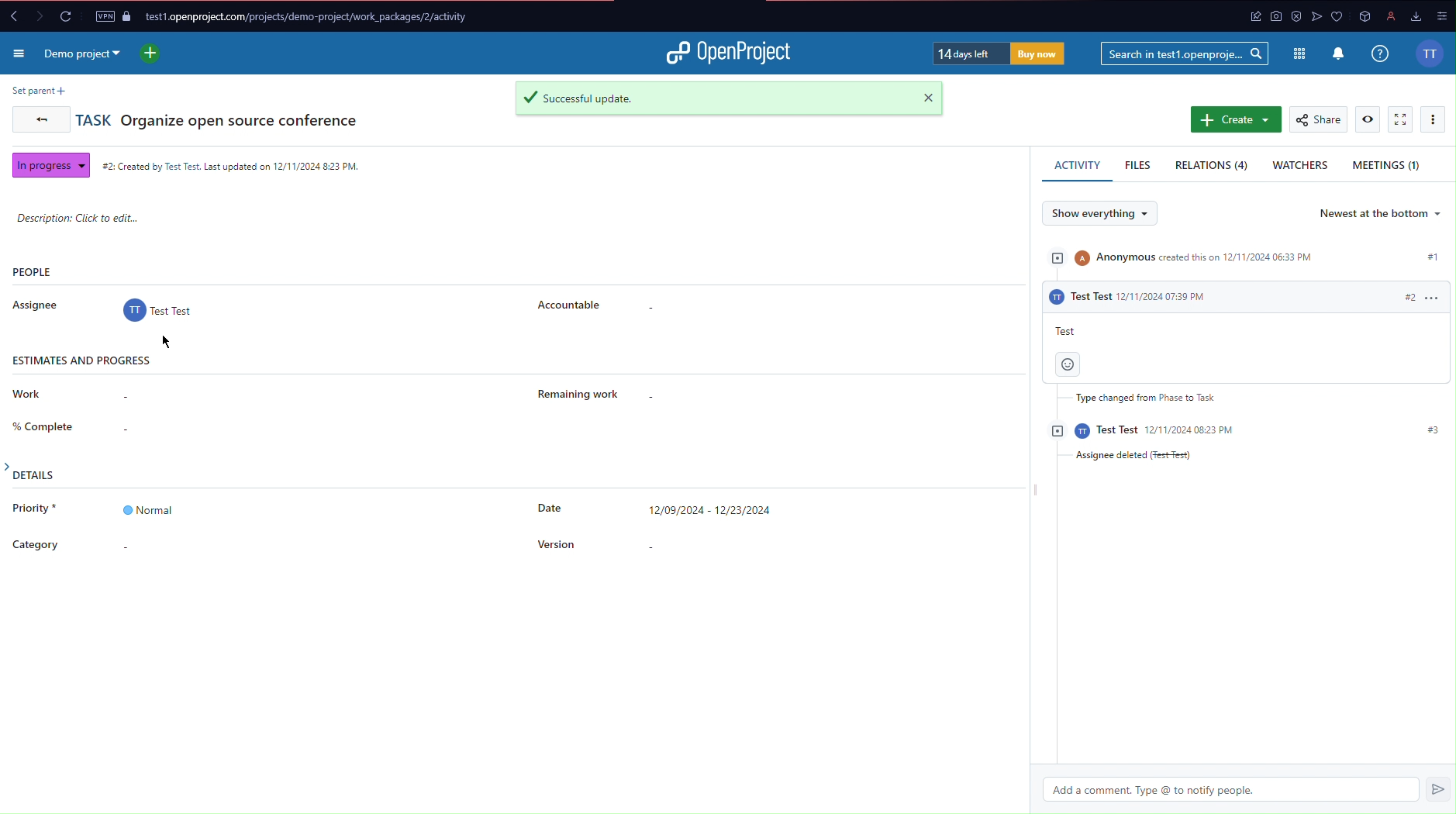 The height and width of the screenshot is (814, 1456). What do you see at coordinates (1316, 119) in the screenshot?
I see `Share` at bounding box center [1316, 119].